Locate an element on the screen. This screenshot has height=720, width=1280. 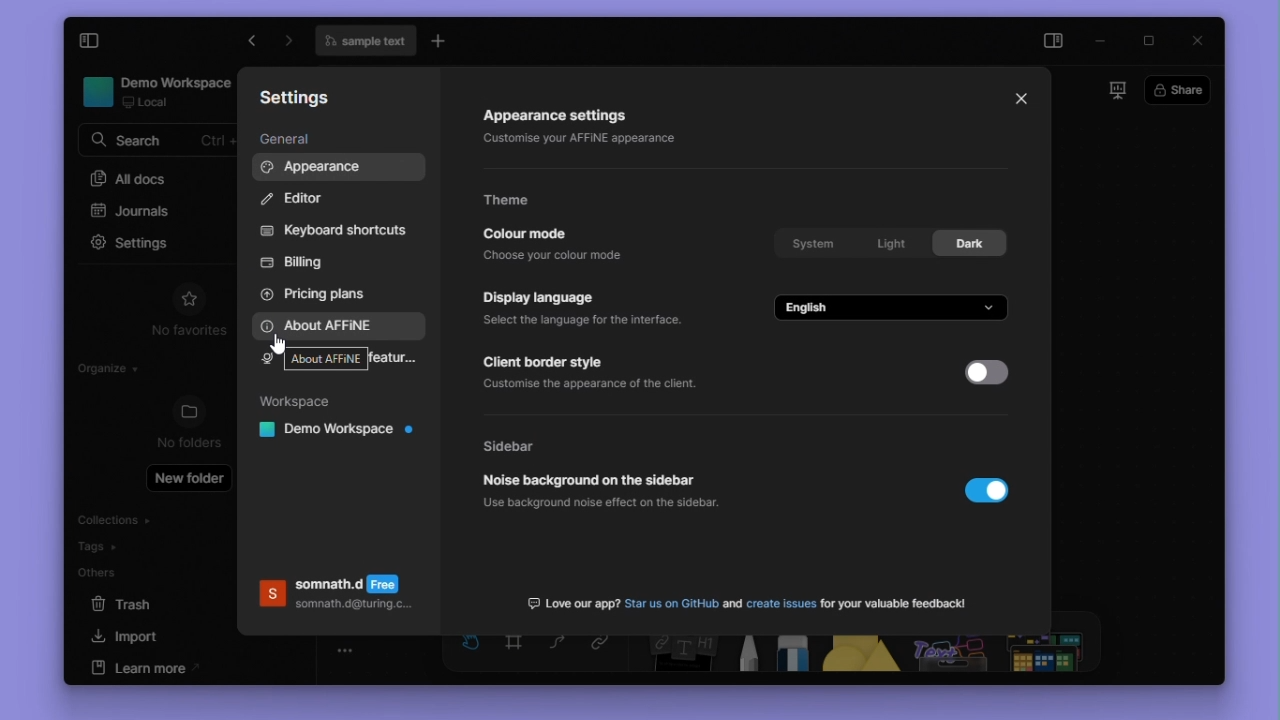
Toggle switch is located at coordinates (991, 496).